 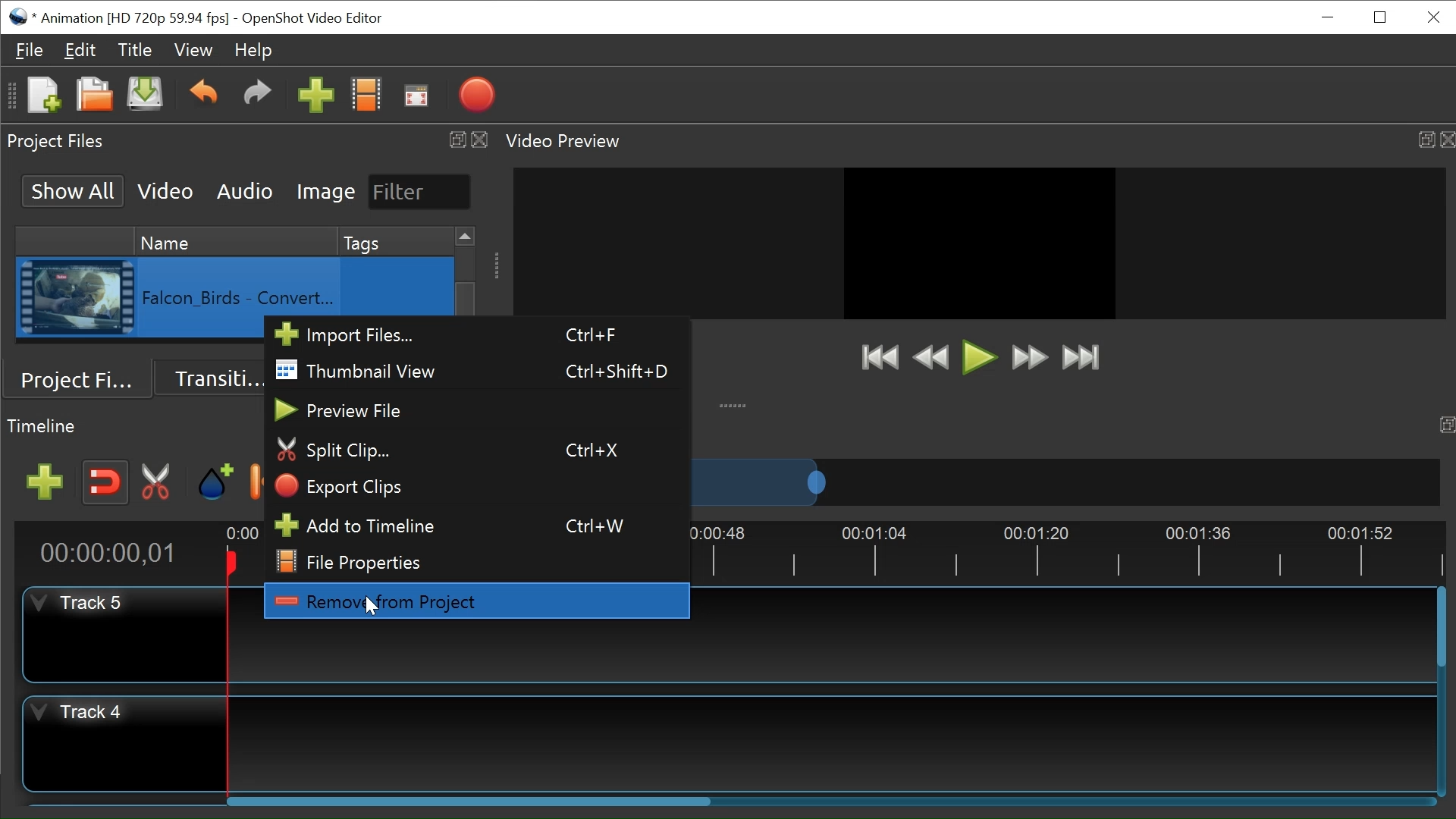 What do you see at coordinates (566, 142) in the screenshot?
I see `Video Preview Panel` at bounding box center [566, 142].